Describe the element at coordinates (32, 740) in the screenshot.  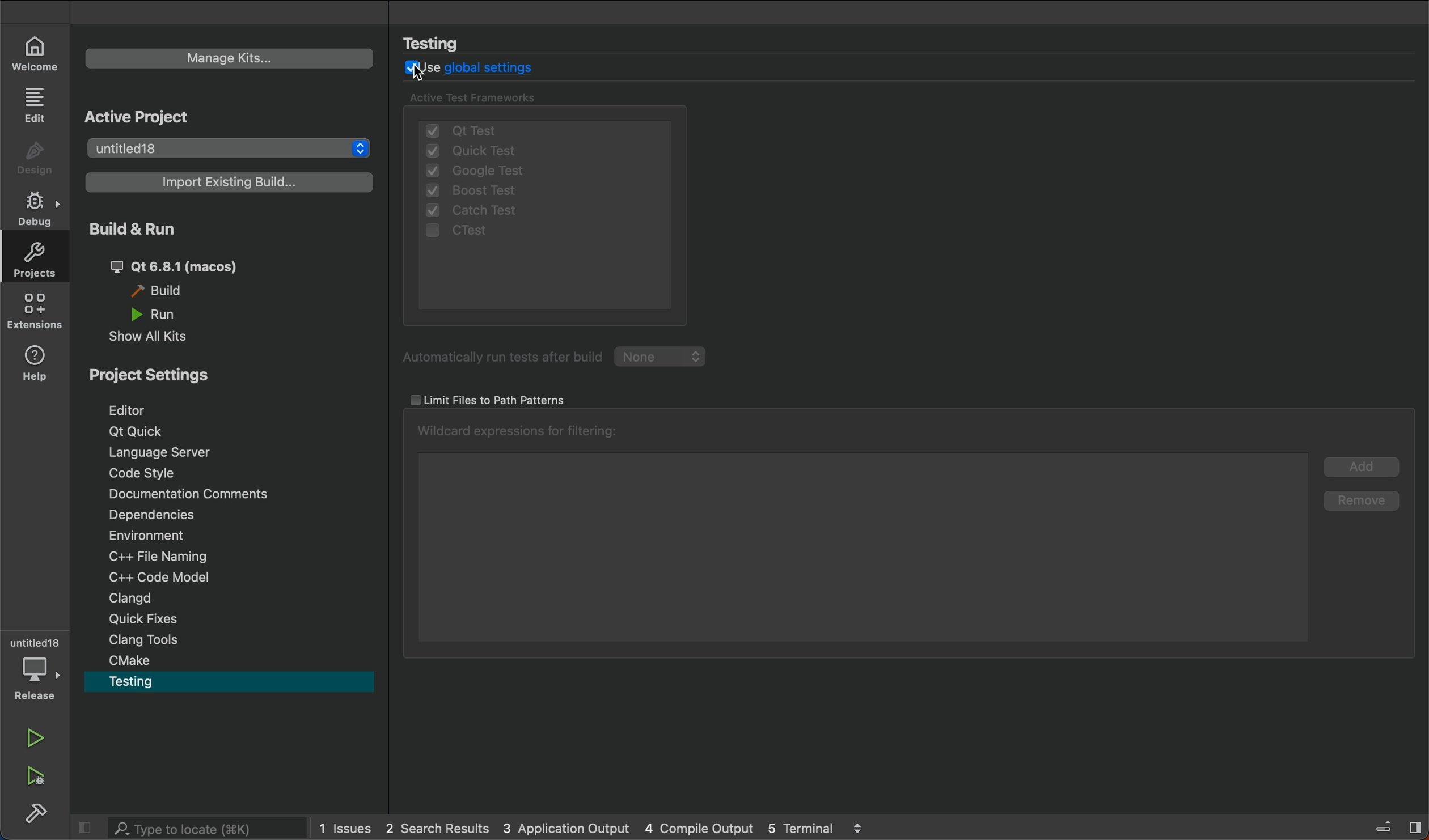
I see `run` at that location.